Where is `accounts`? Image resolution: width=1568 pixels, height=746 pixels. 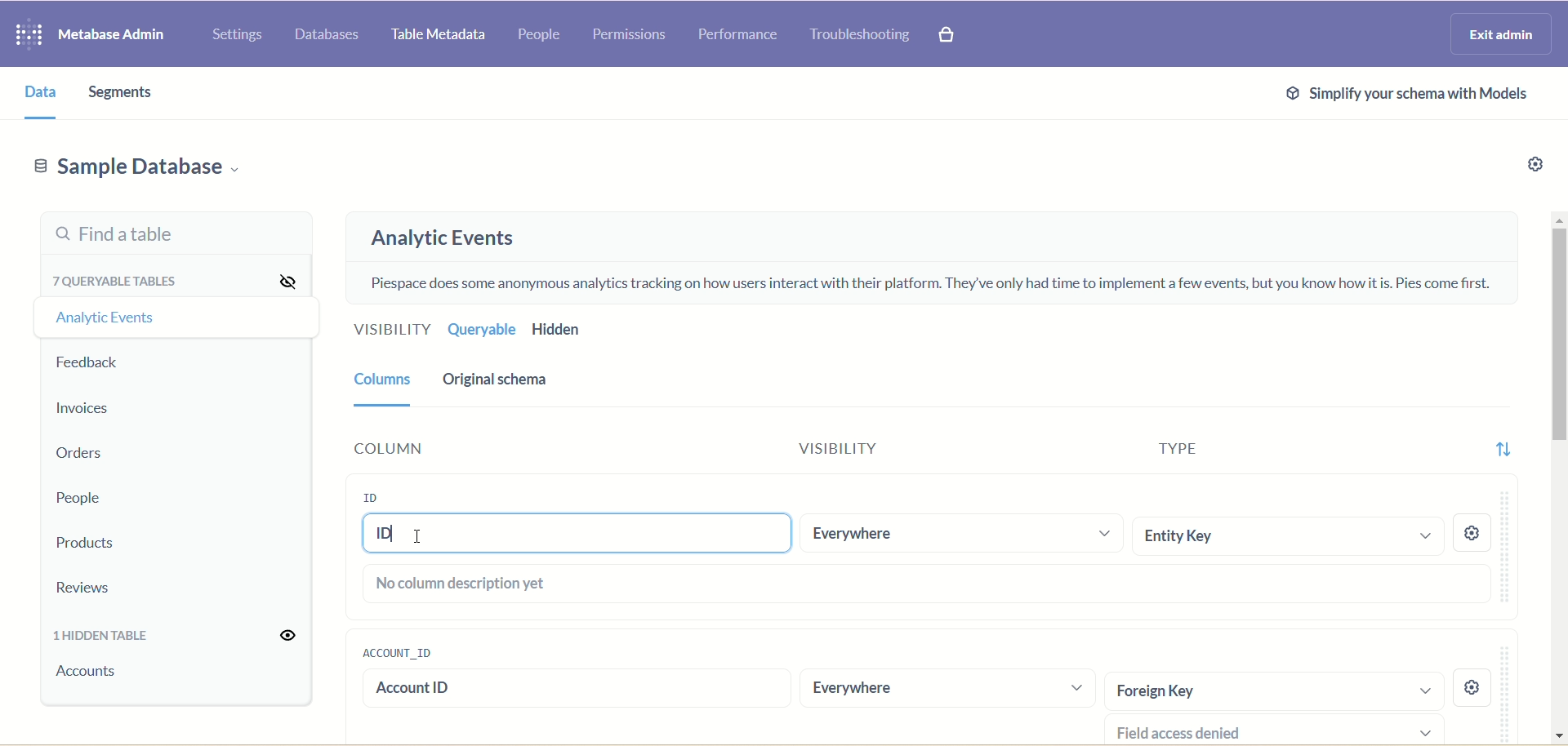
accounts is located at coordinates (100, 672).